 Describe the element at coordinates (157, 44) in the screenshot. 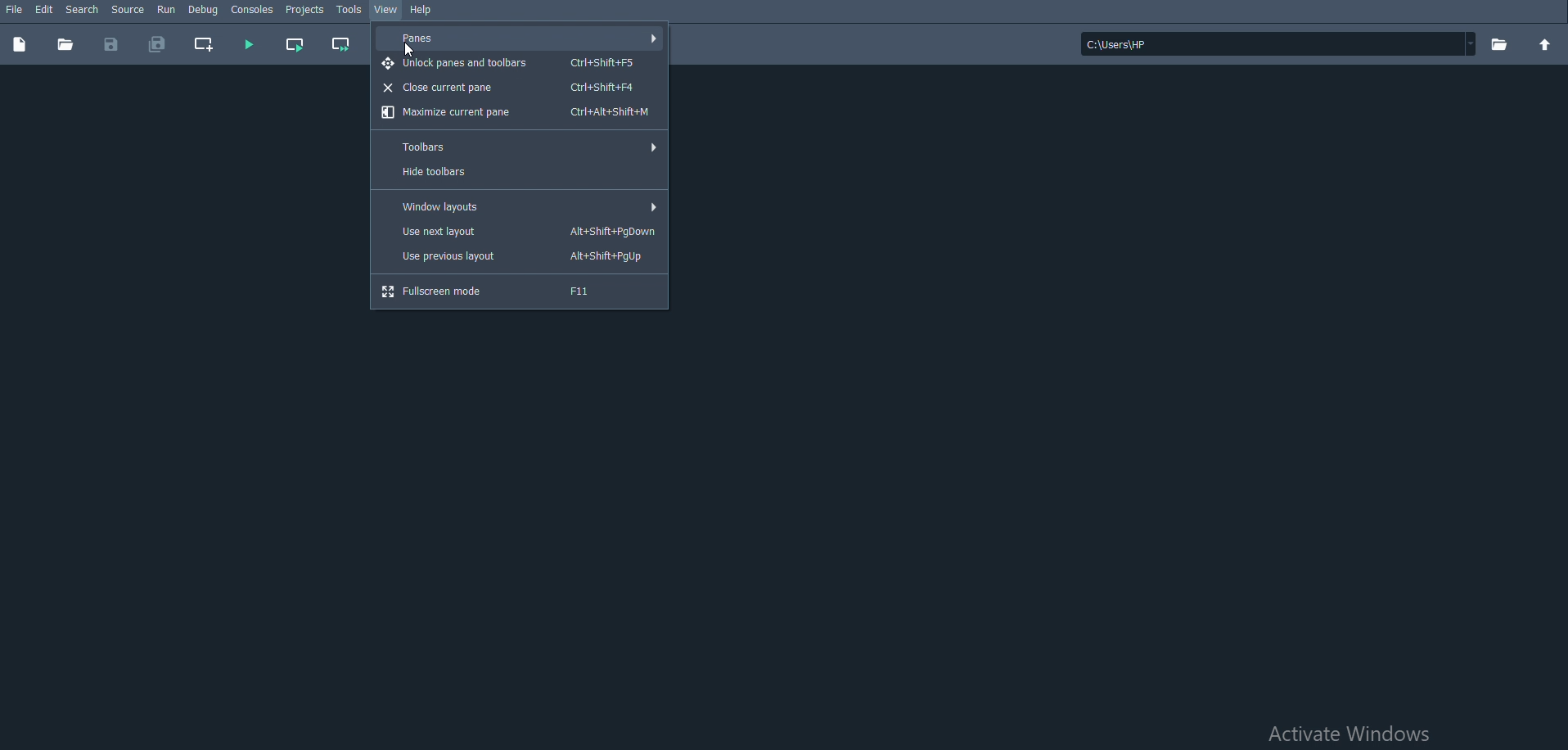

I see `Save all files` at that location.